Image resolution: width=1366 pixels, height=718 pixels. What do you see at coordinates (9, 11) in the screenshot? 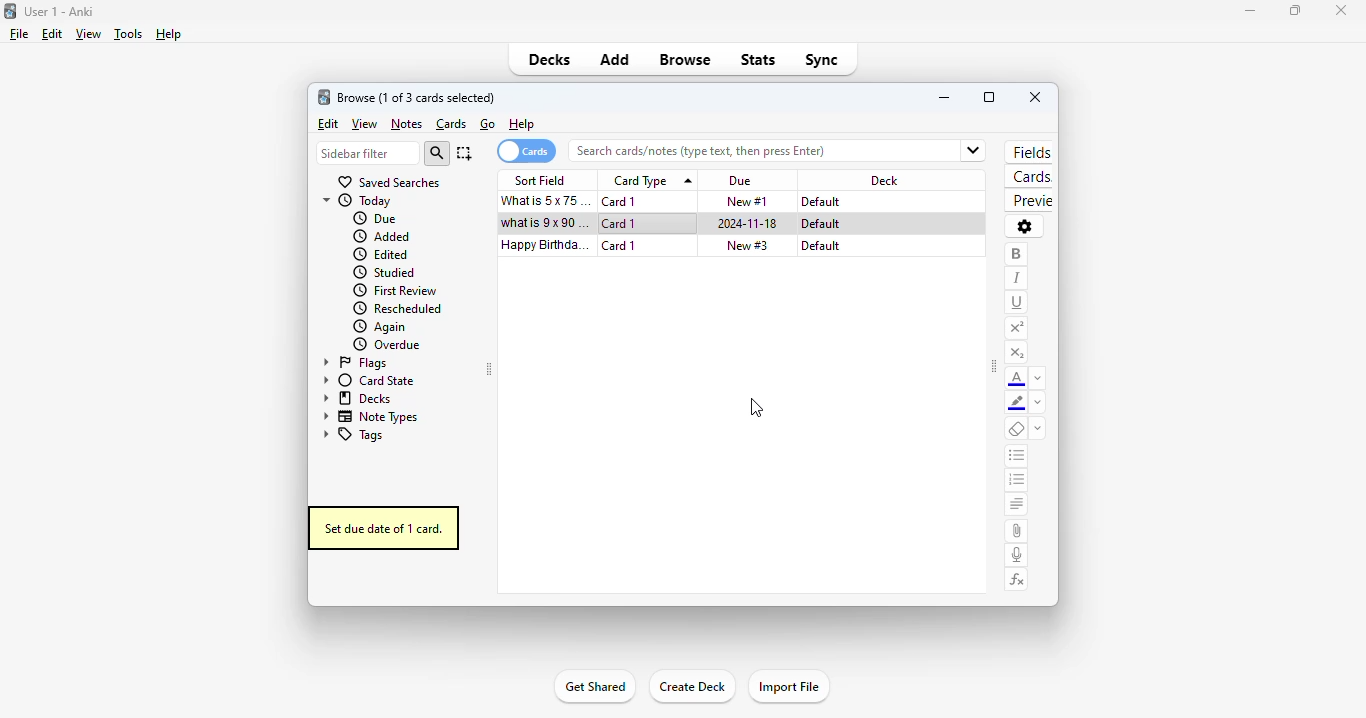
I see `logo` at bounding box center [9, 11].